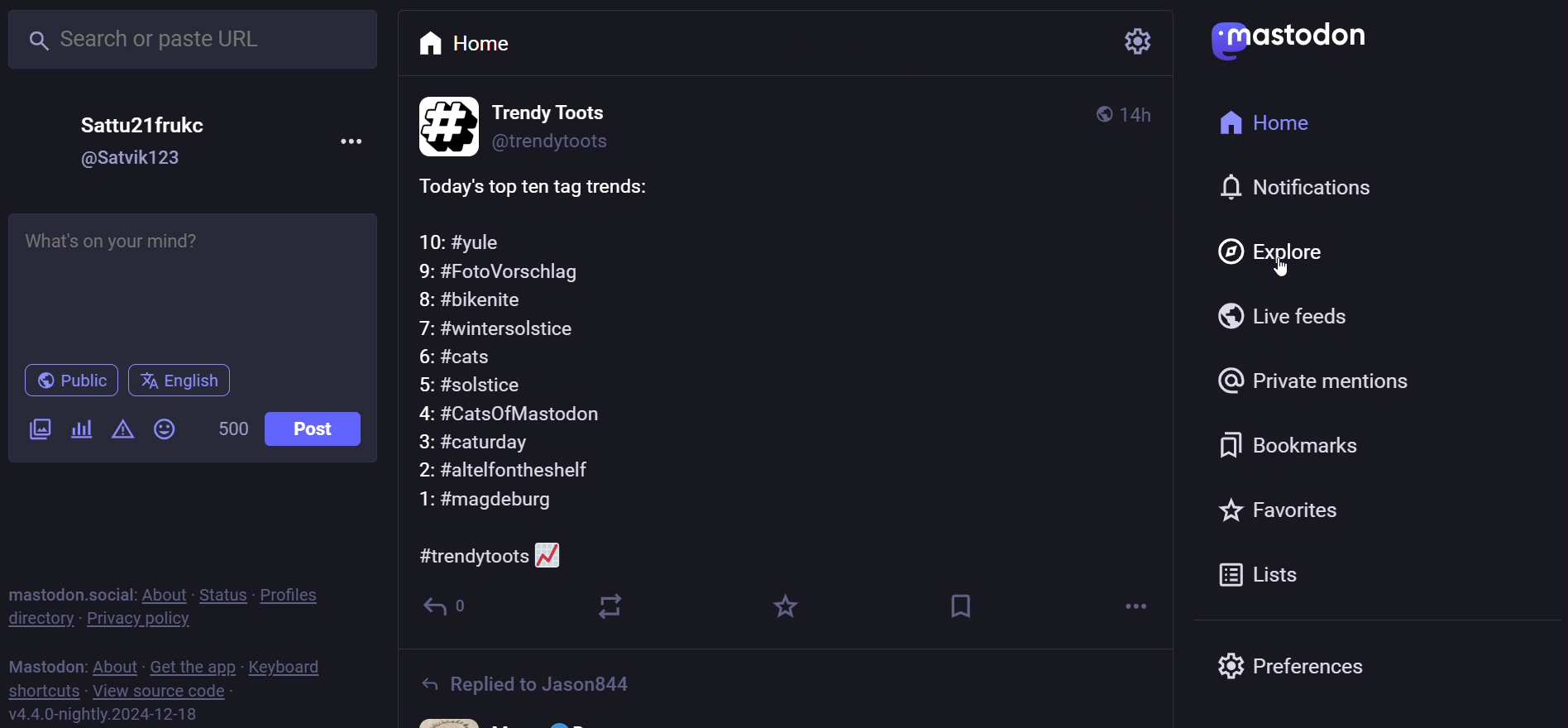 The width and height of the screenshot is (1568, 728). I want to click on @Satvik123, so click(138, 159).